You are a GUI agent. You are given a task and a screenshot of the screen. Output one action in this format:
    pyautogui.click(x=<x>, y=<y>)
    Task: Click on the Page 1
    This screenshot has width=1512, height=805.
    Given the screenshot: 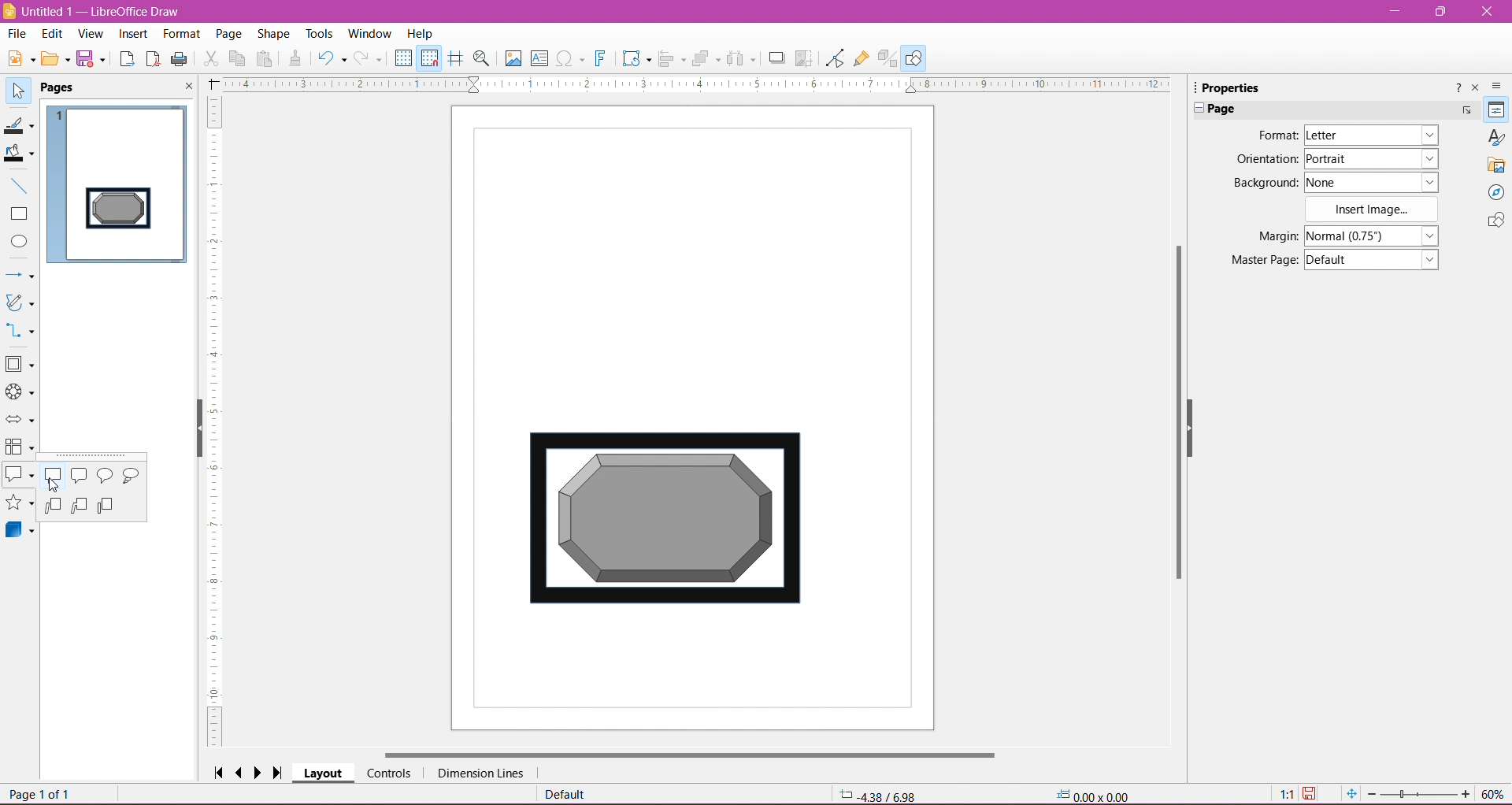 What is the action you would take?
    pyautogui.click(x=119, y=180)
    